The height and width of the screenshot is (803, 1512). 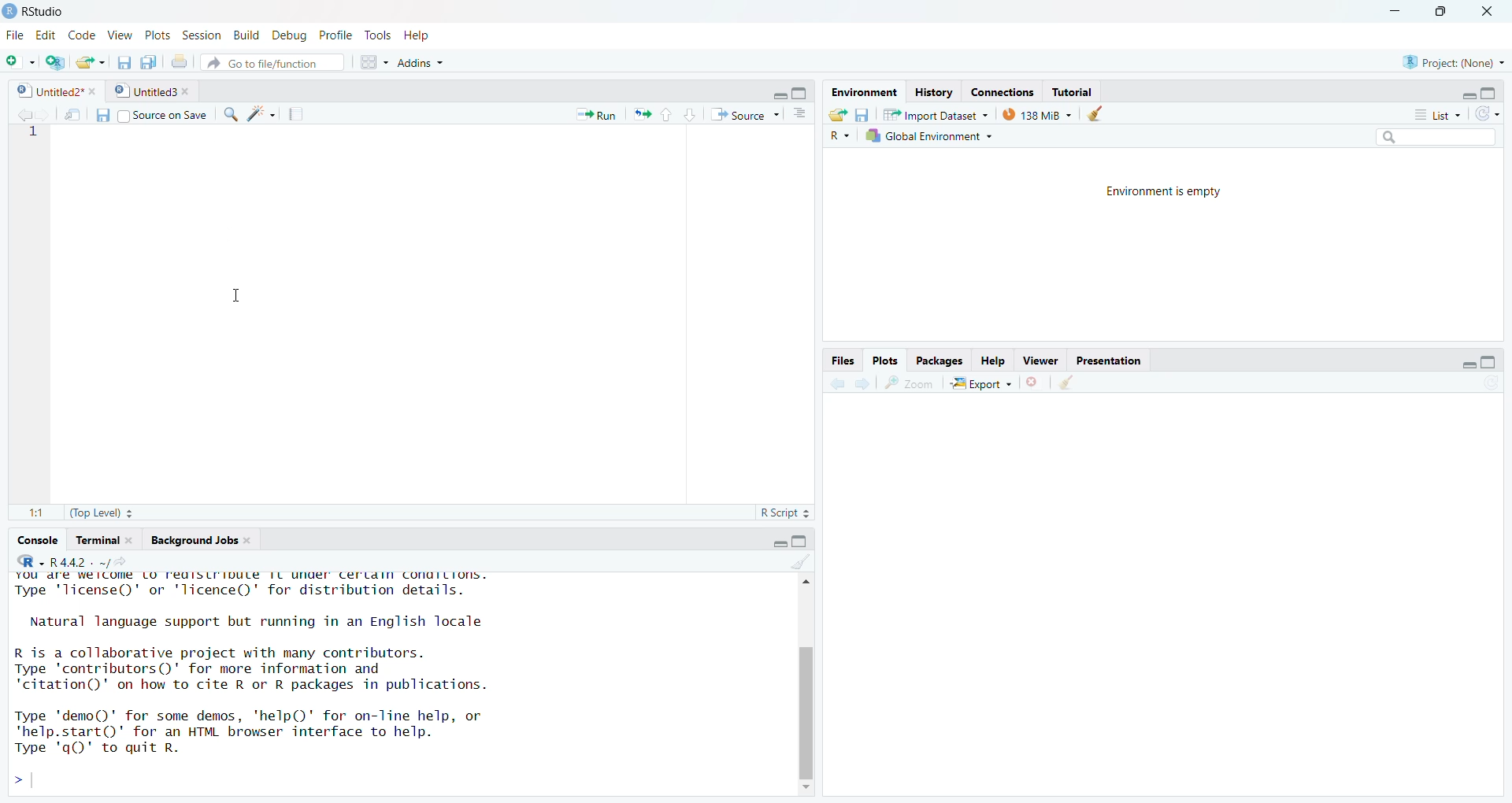 I want to click on New File, so click(x=18, y=62).